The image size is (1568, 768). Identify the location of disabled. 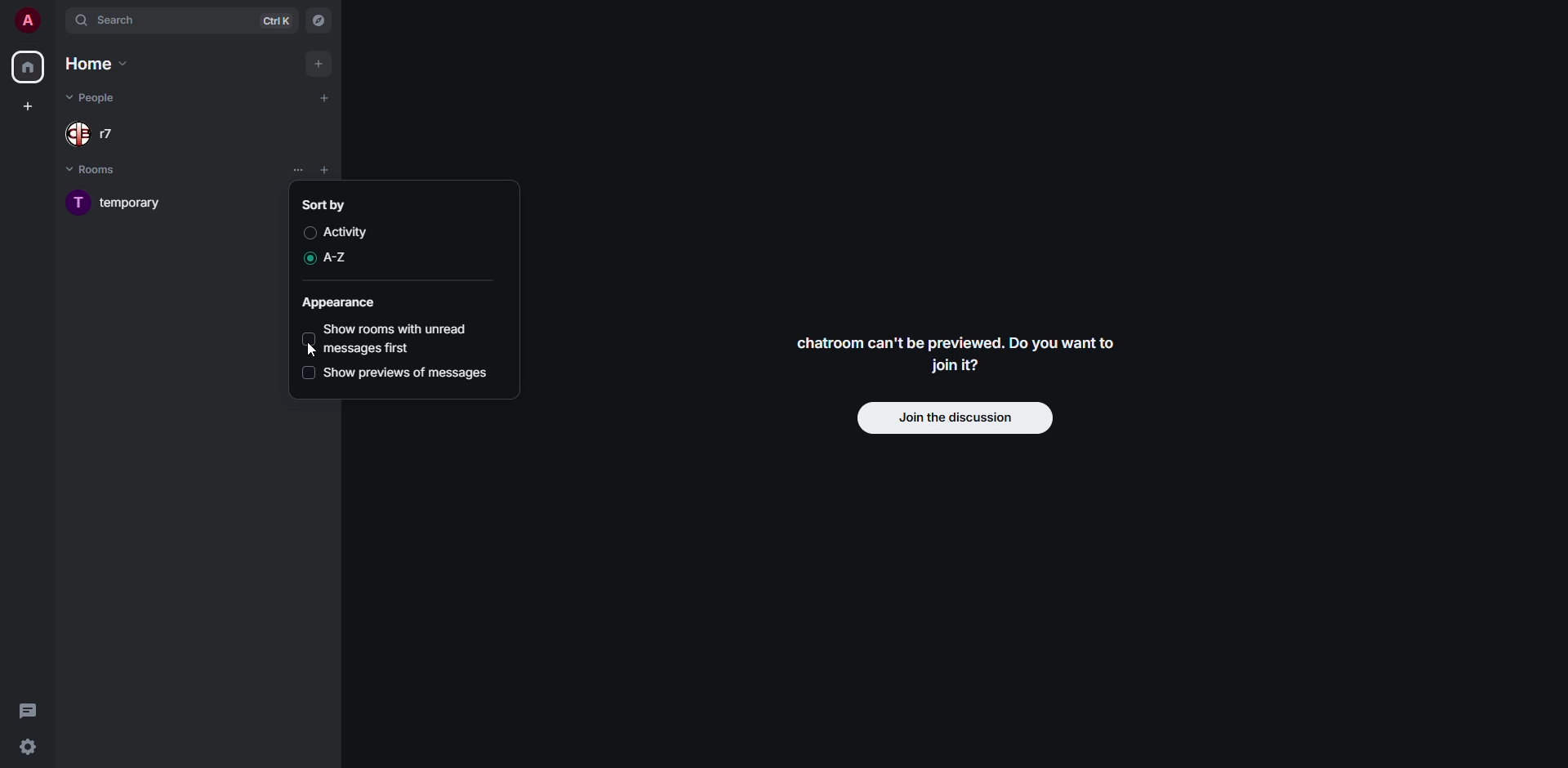
(307, 373).